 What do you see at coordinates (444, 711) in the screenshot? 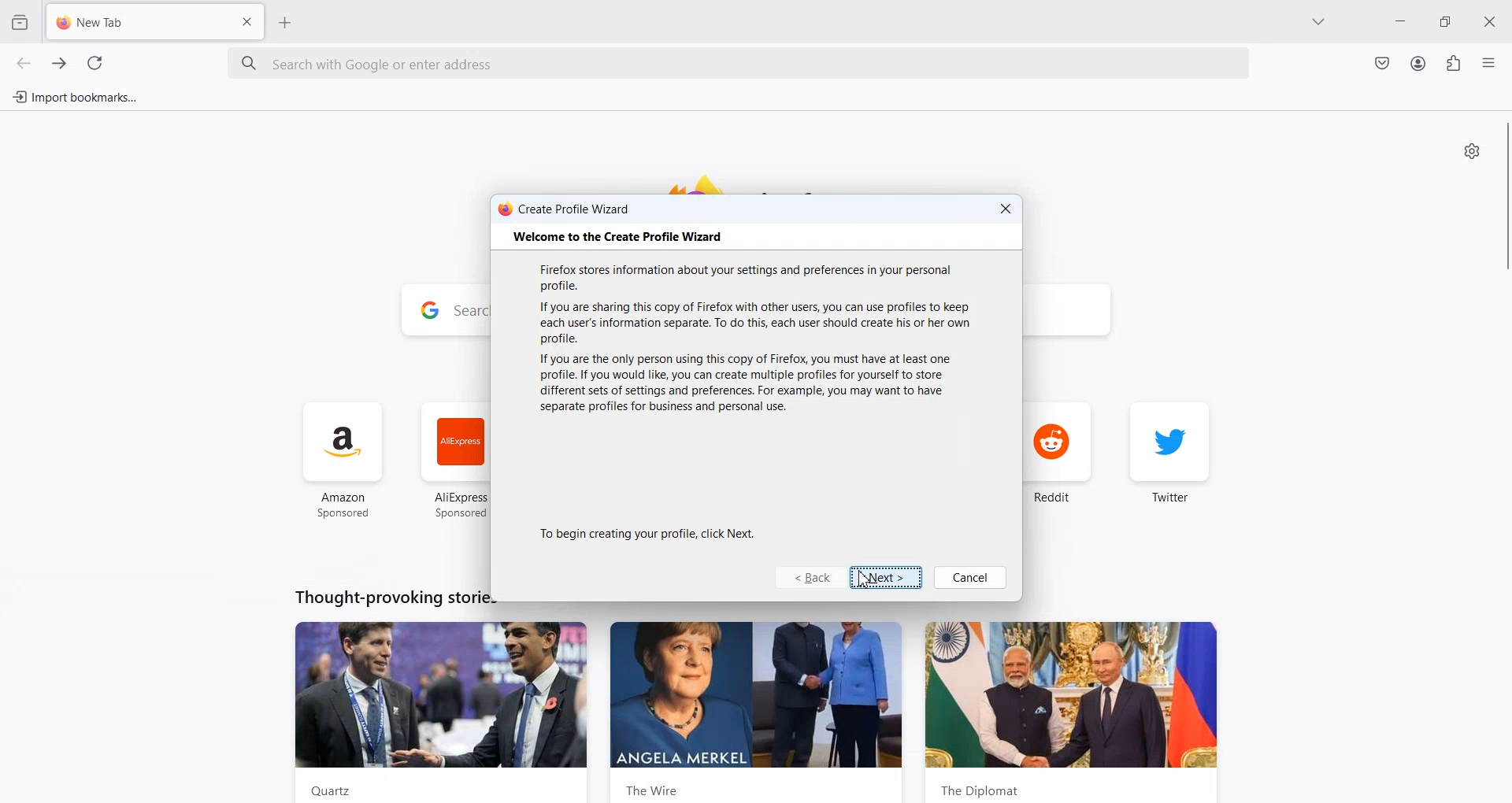
I see `Quartz` at bounding box center [444, 711].